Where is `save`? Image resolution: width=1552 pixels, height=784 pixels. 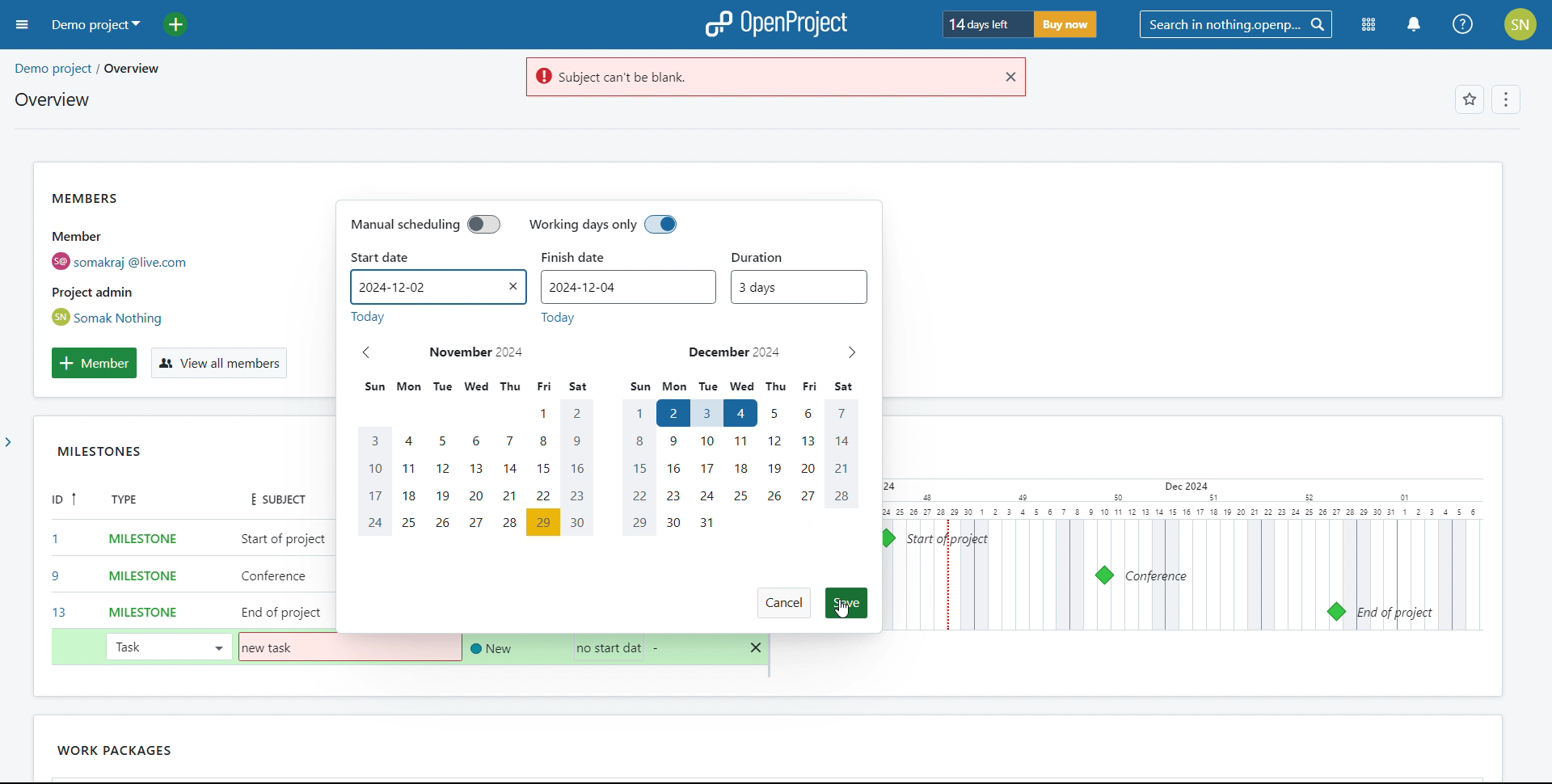 save is located at coordinates (847, 603).